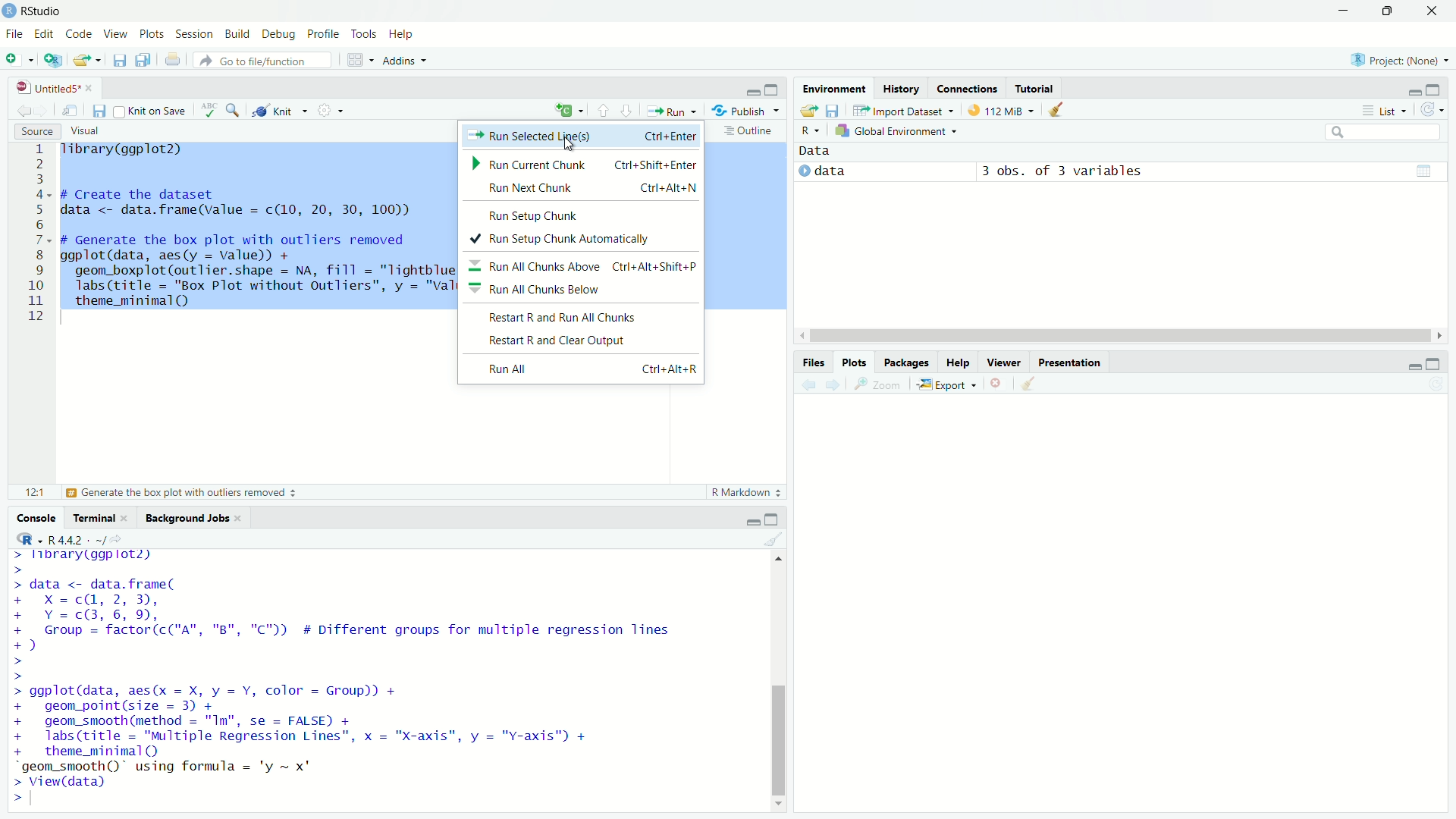  I want to click on Edit, so click(44, 33).